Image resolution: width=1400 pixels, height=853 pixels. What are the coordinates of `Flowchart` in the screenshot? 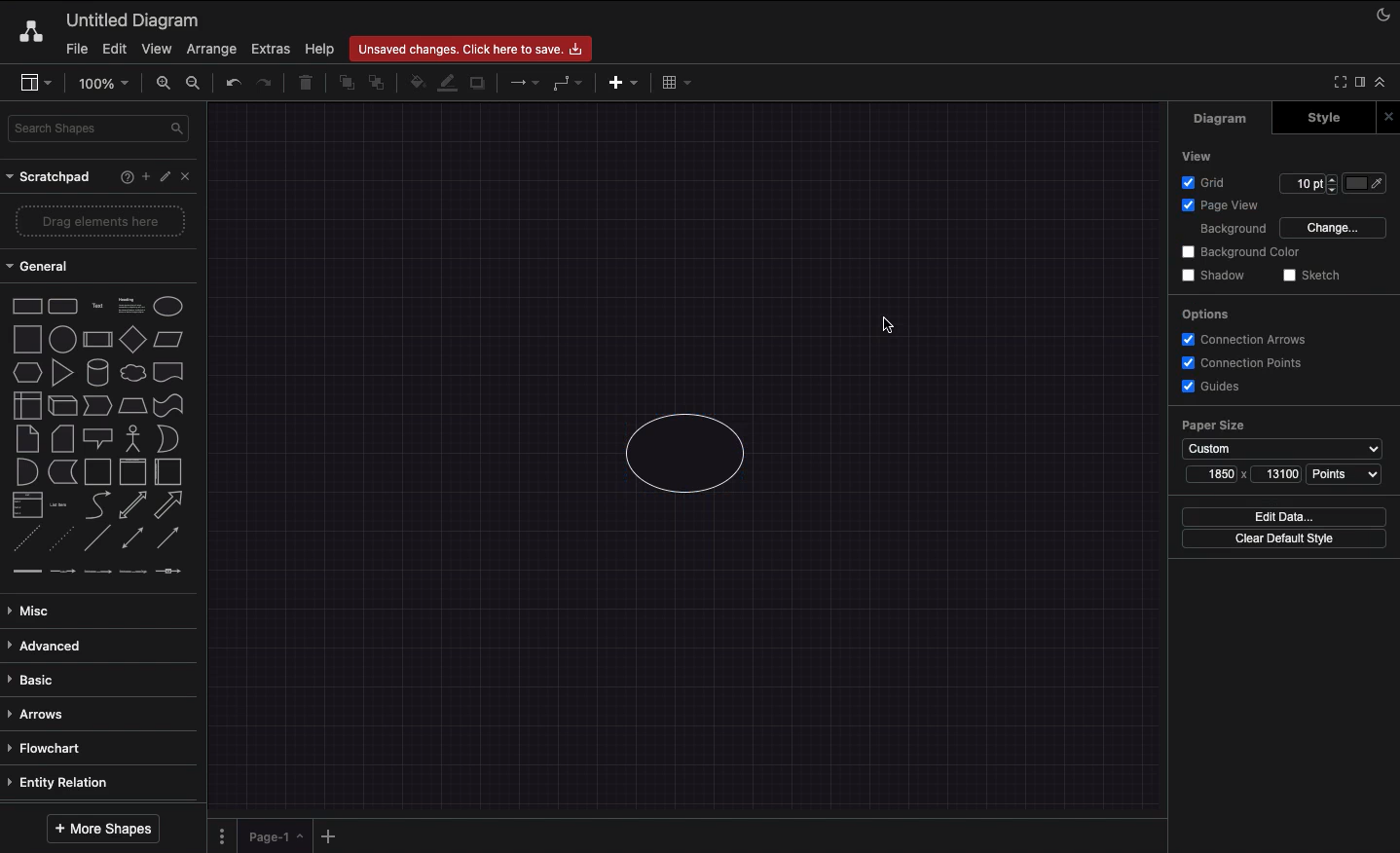 It's located at (48, 748).